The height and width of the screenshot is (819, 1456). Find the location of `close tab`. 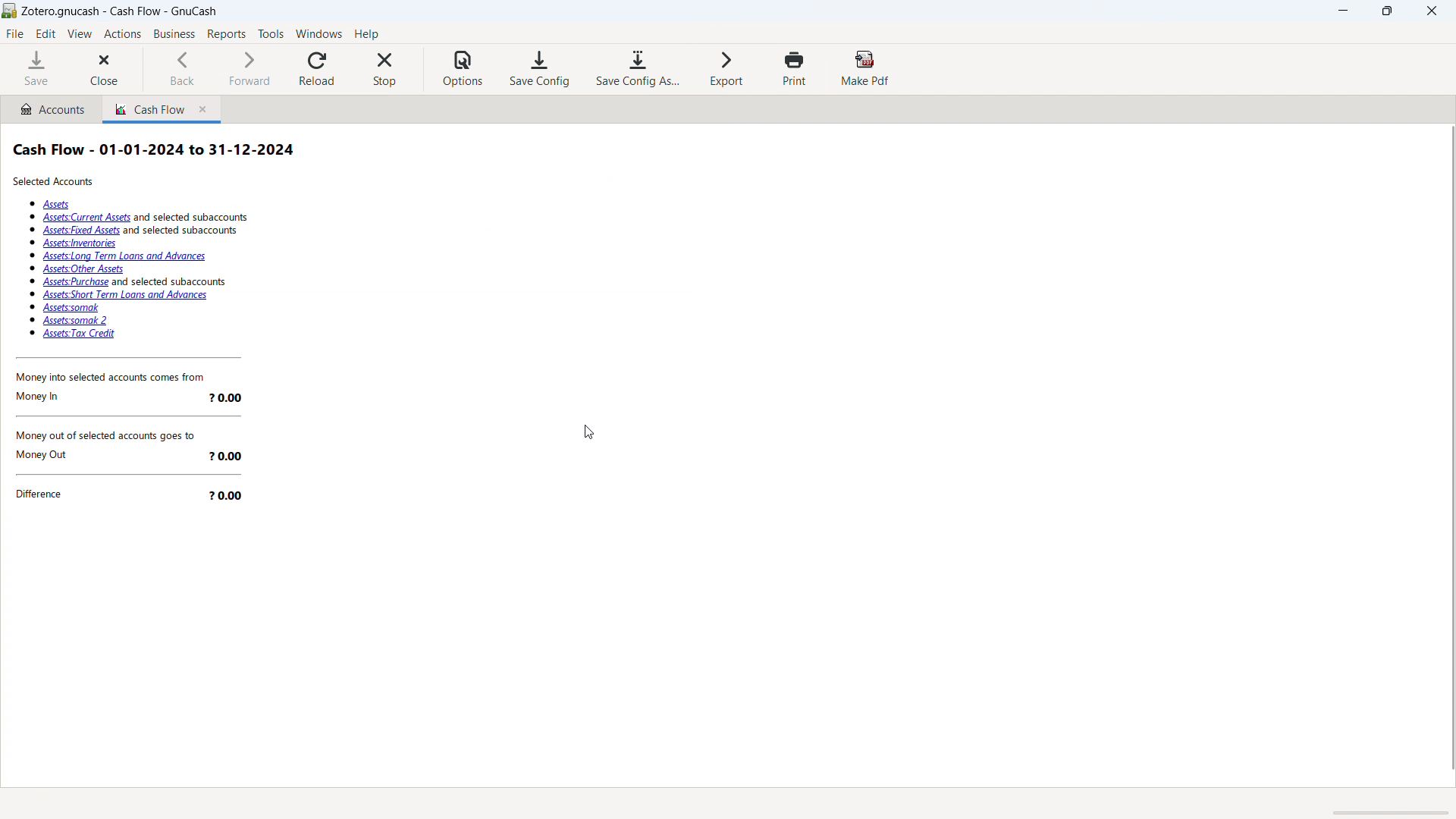

close tab is located at coordinates (204, 108).